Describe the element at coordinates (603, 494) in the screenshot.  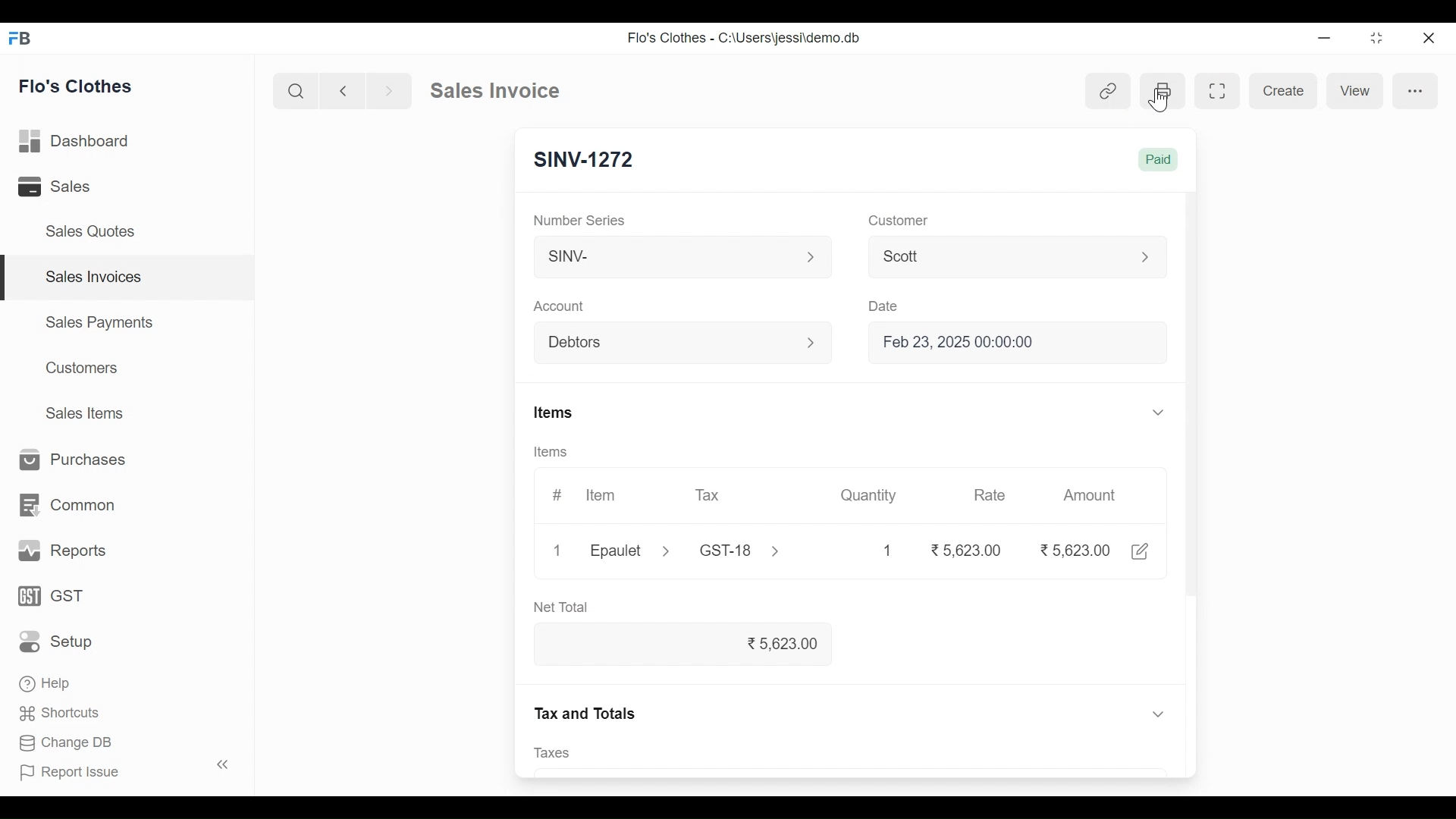
I see `Item` at that location.